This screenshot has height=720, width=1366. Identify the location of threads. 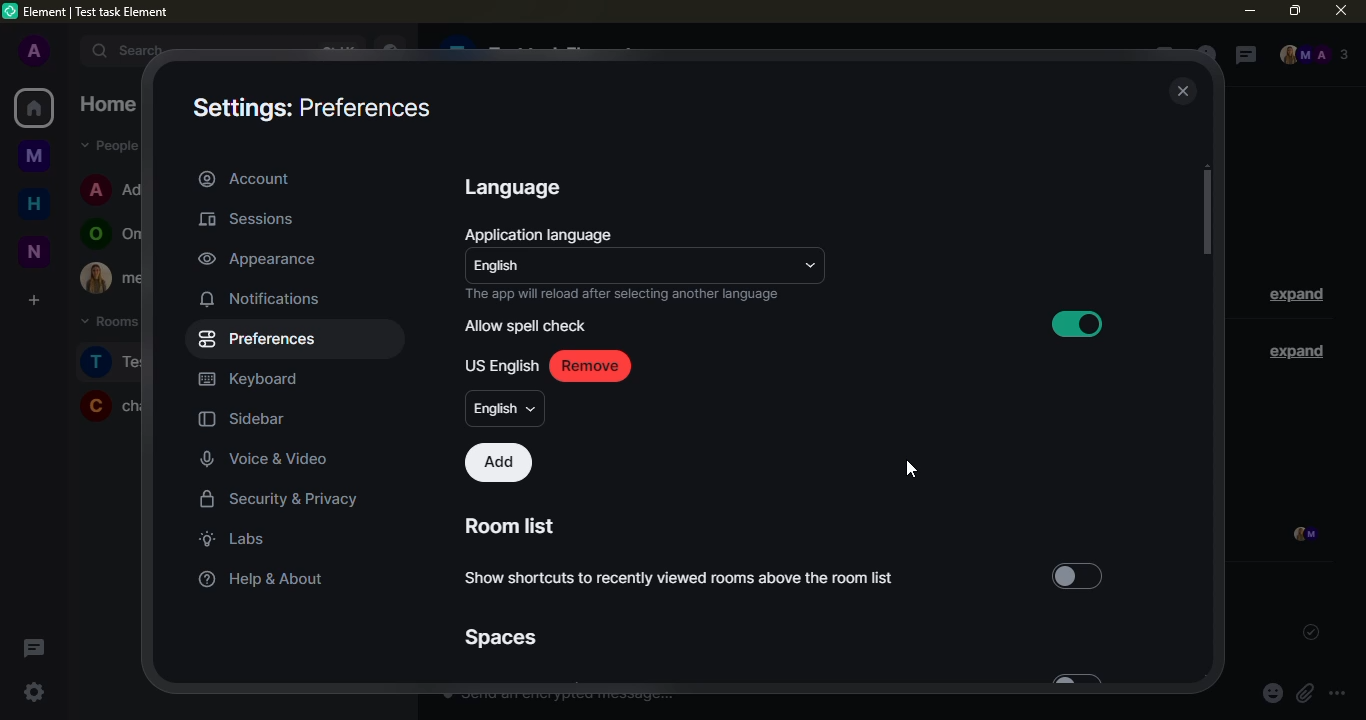
(1242, 56).